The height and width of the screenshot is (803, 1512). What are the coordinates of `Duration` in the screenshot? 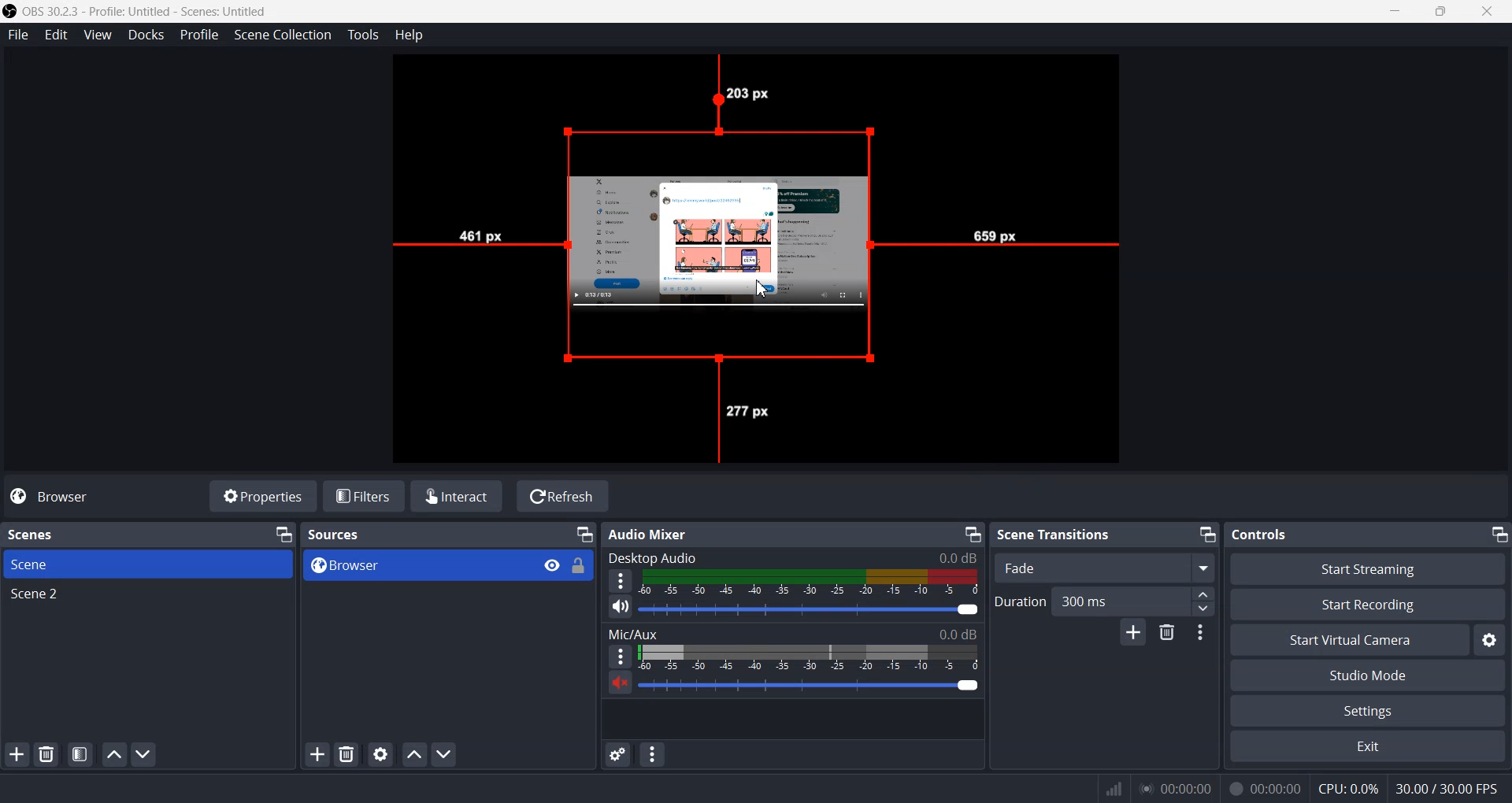 It's located at (1092, 600).